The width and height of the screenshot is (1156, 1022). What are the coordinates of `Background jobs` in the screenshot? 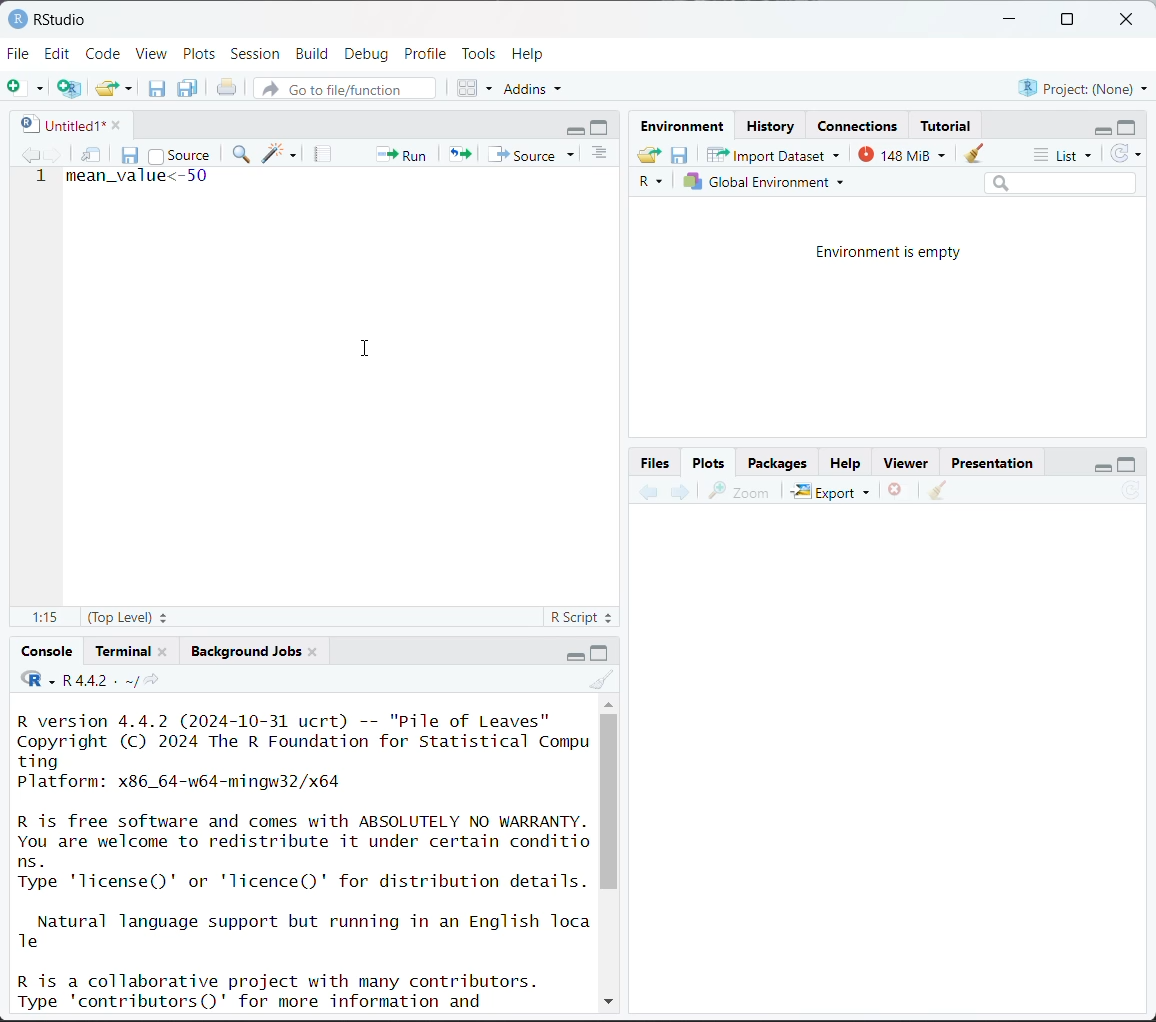 It's located at (246, 651).